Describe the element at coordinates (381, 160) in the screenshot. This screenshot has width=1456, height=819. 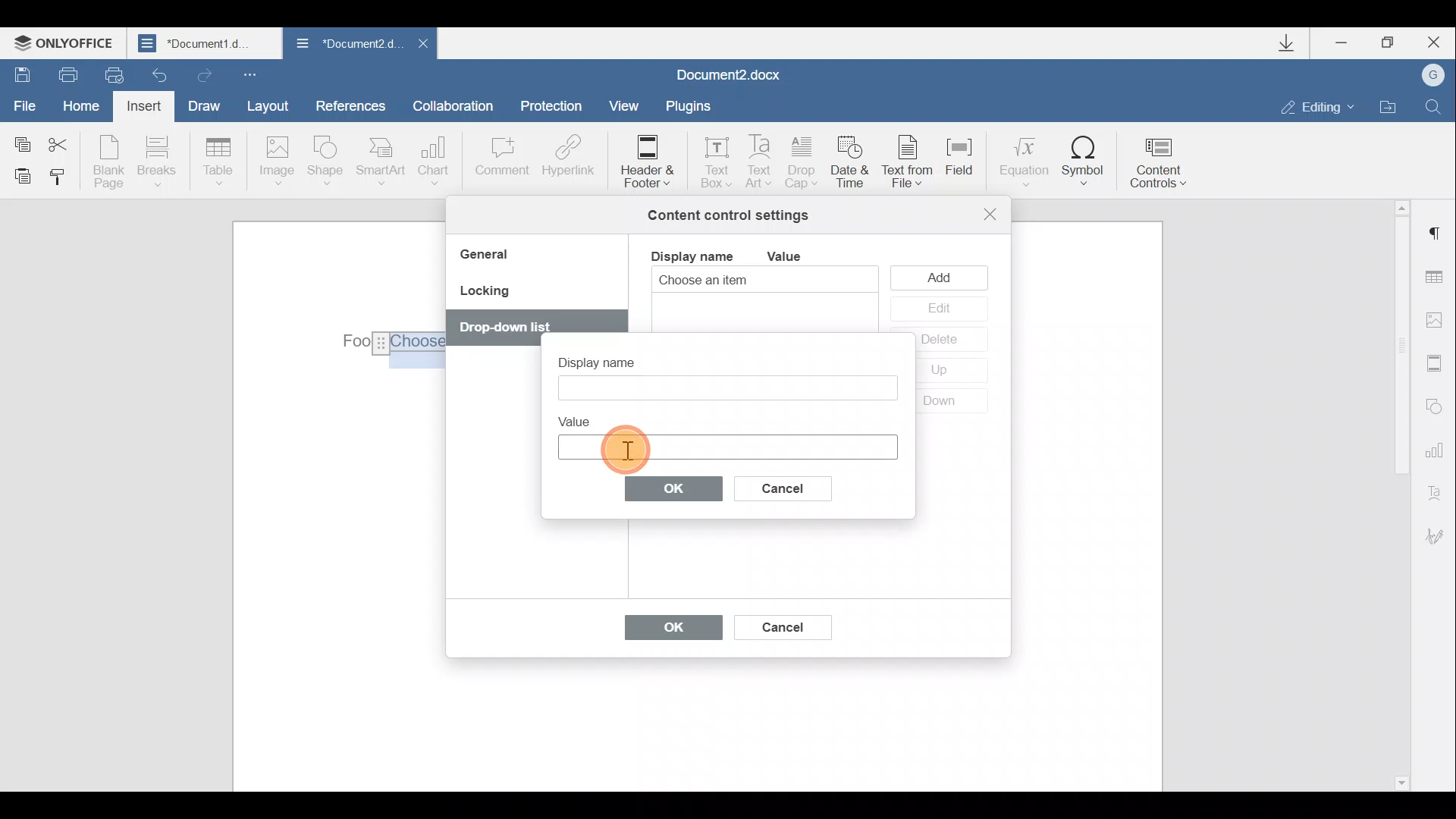
I see `SmartArt` at that location.